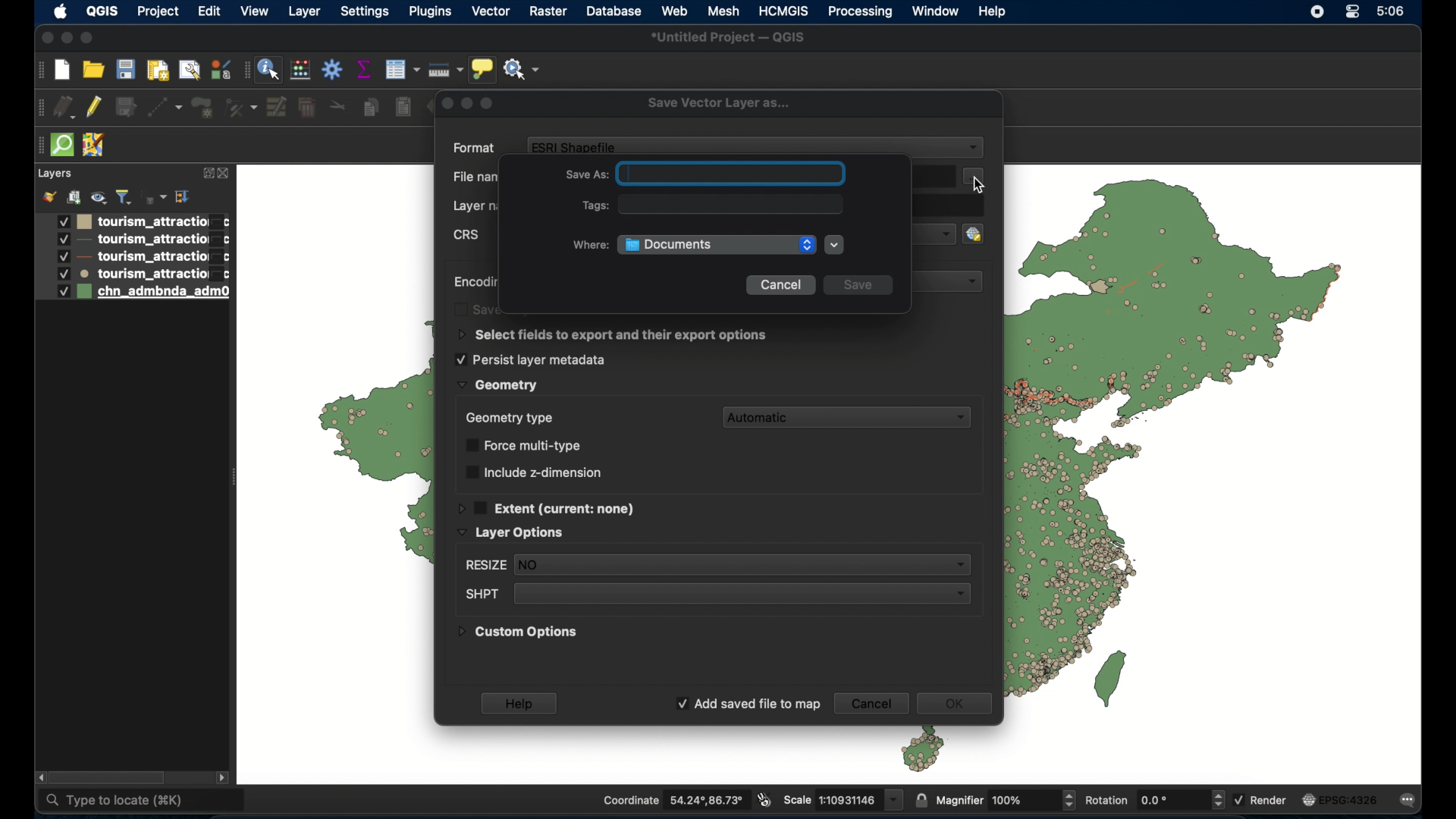 The height and width of the screenshot is (819, 1456). Describe the element at coordinates (38, 108) in the screenshot. I see `drag handle` at that location.